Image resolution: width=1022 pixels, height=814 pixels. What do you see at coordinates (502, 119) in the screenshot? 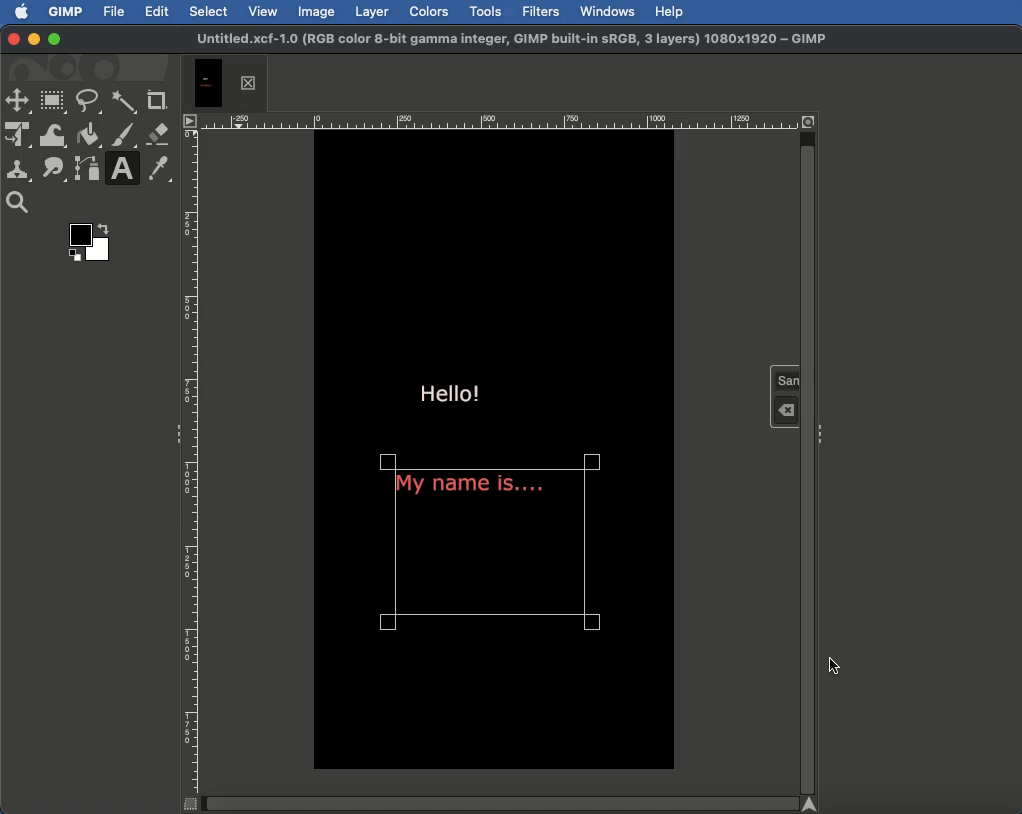
I see `Ruler` at bounding box center [502, 119].